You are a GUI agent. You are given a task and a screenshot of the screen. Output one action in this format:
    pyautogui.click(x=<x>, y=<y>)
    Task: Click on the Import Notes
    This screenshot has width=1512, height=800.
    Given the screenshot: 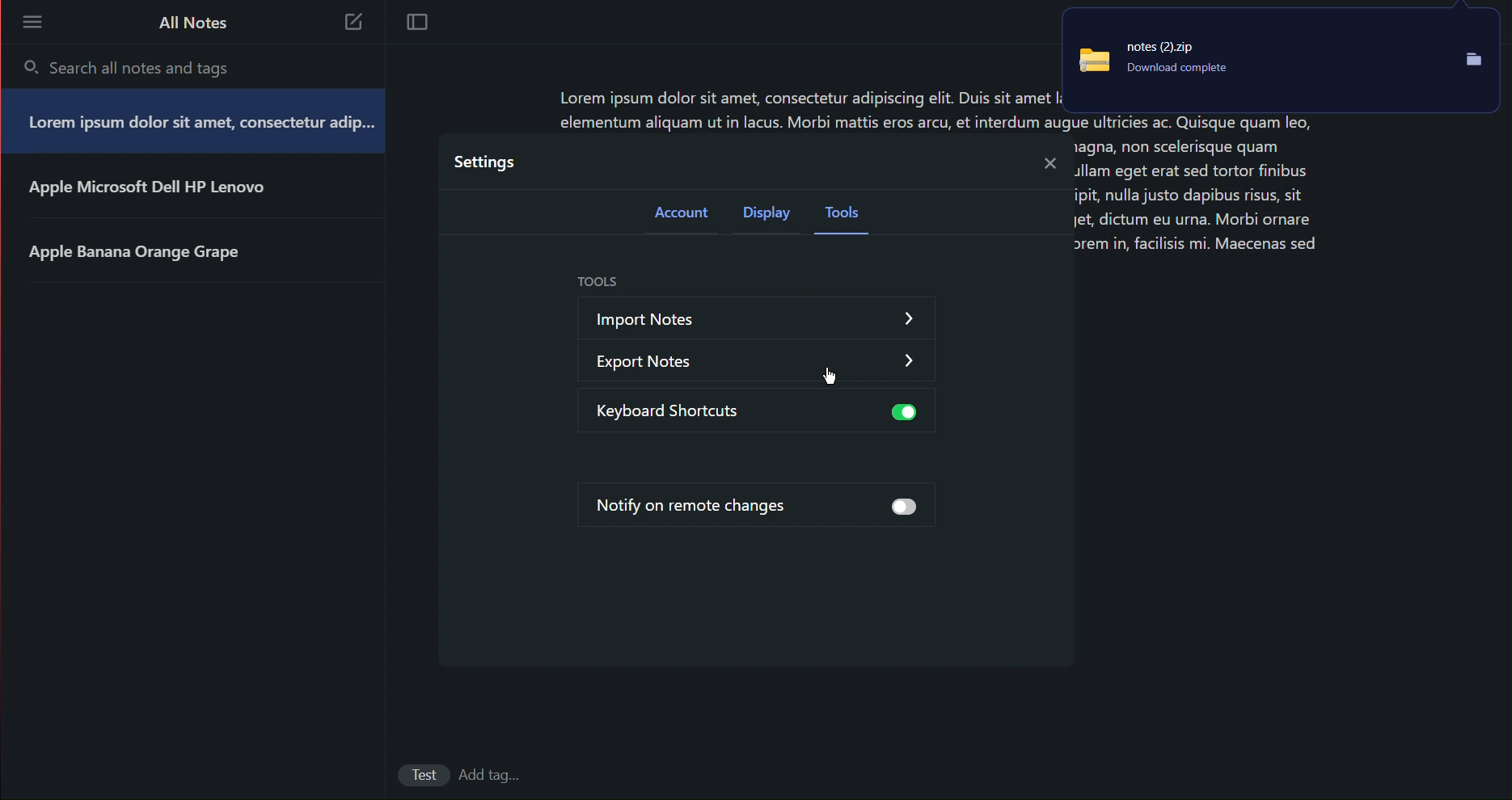 What is the action you would take?
    pyautogui.click(x=719, y=315)
    